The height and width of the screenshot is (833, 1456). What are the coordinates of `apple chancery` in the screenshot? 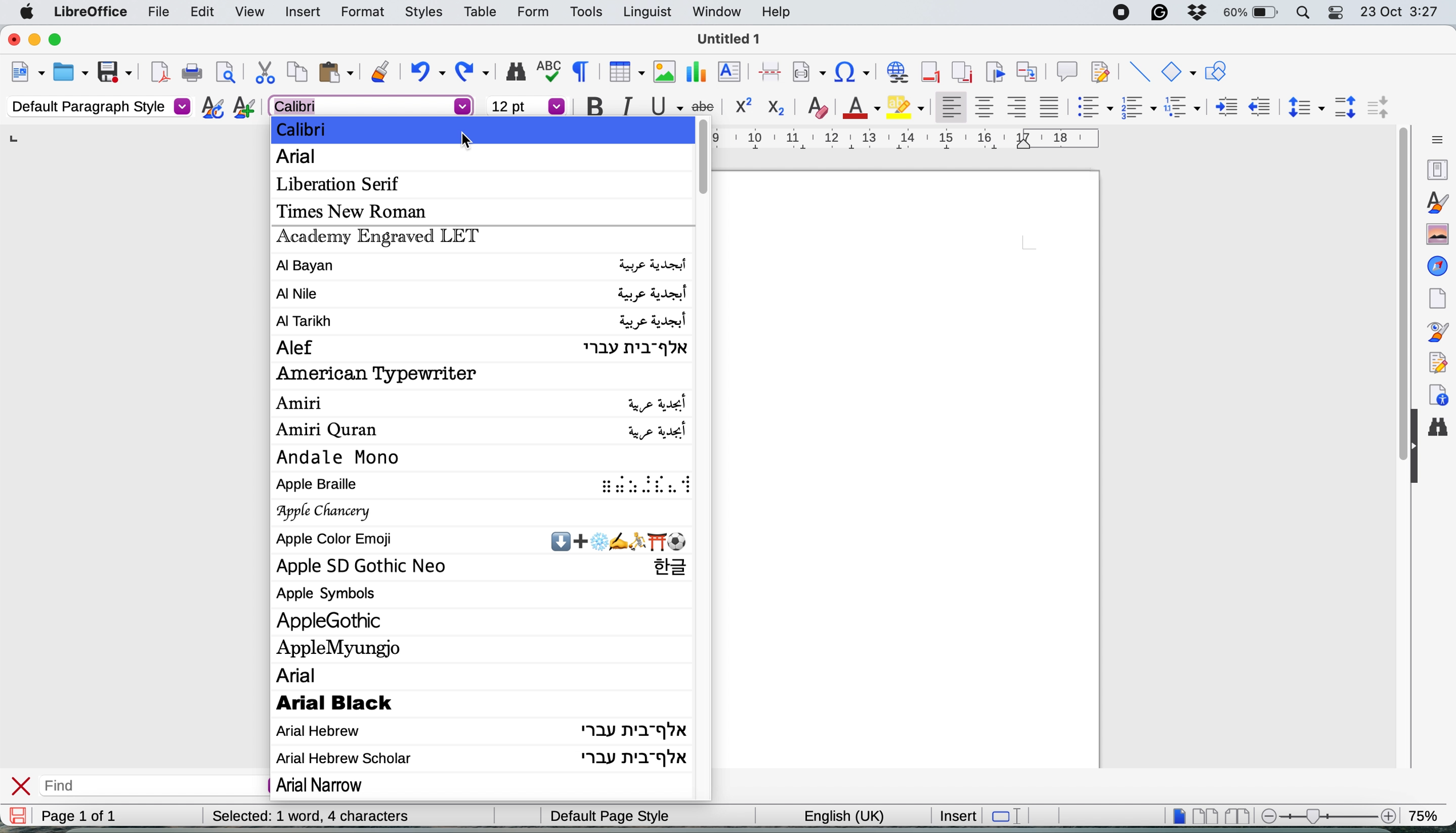 It's located at (327, 511).